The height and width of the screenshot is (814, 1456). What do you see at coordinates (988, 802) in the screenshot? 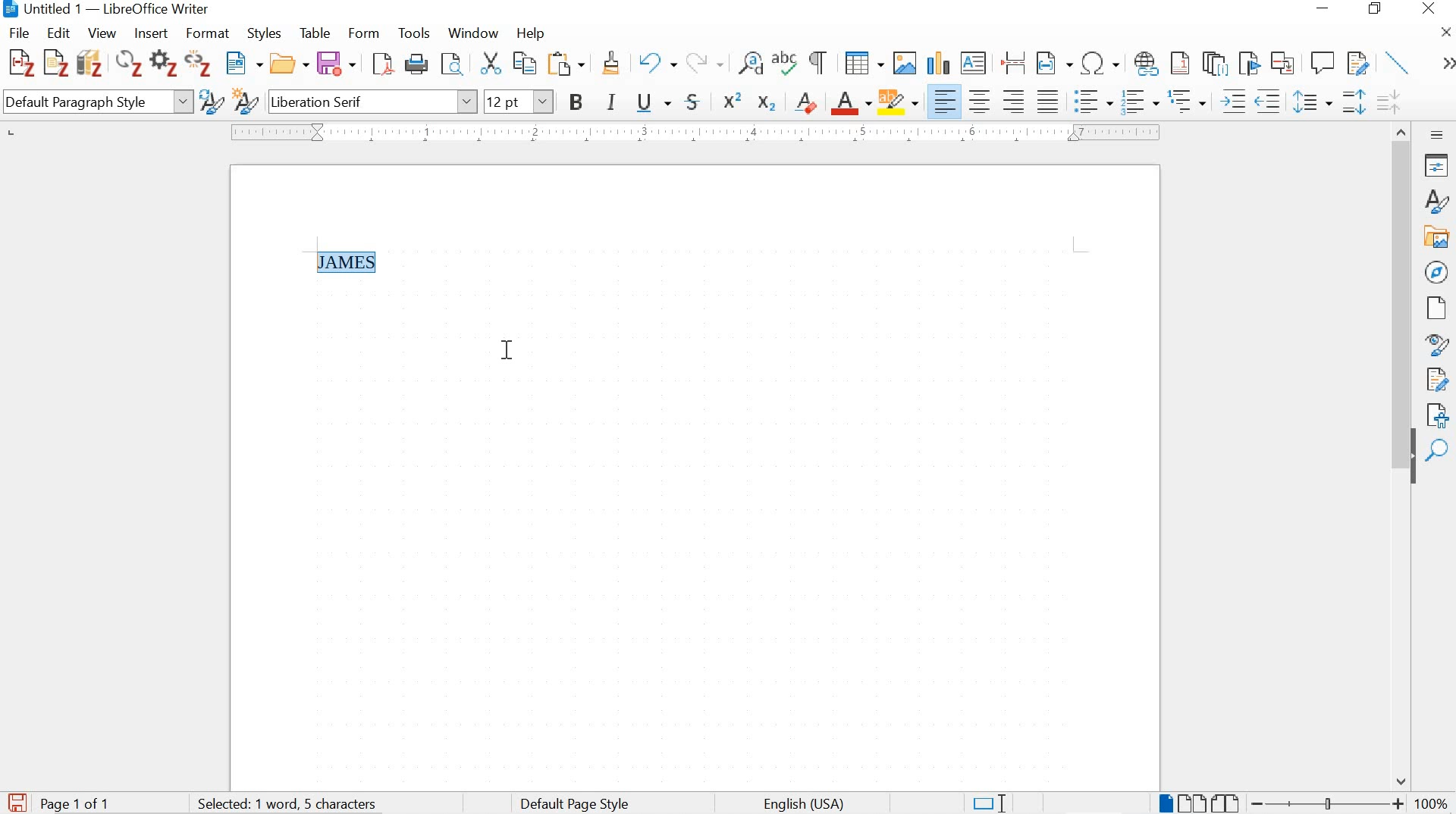
I see `standard selection` at bounding box center [988, 802].